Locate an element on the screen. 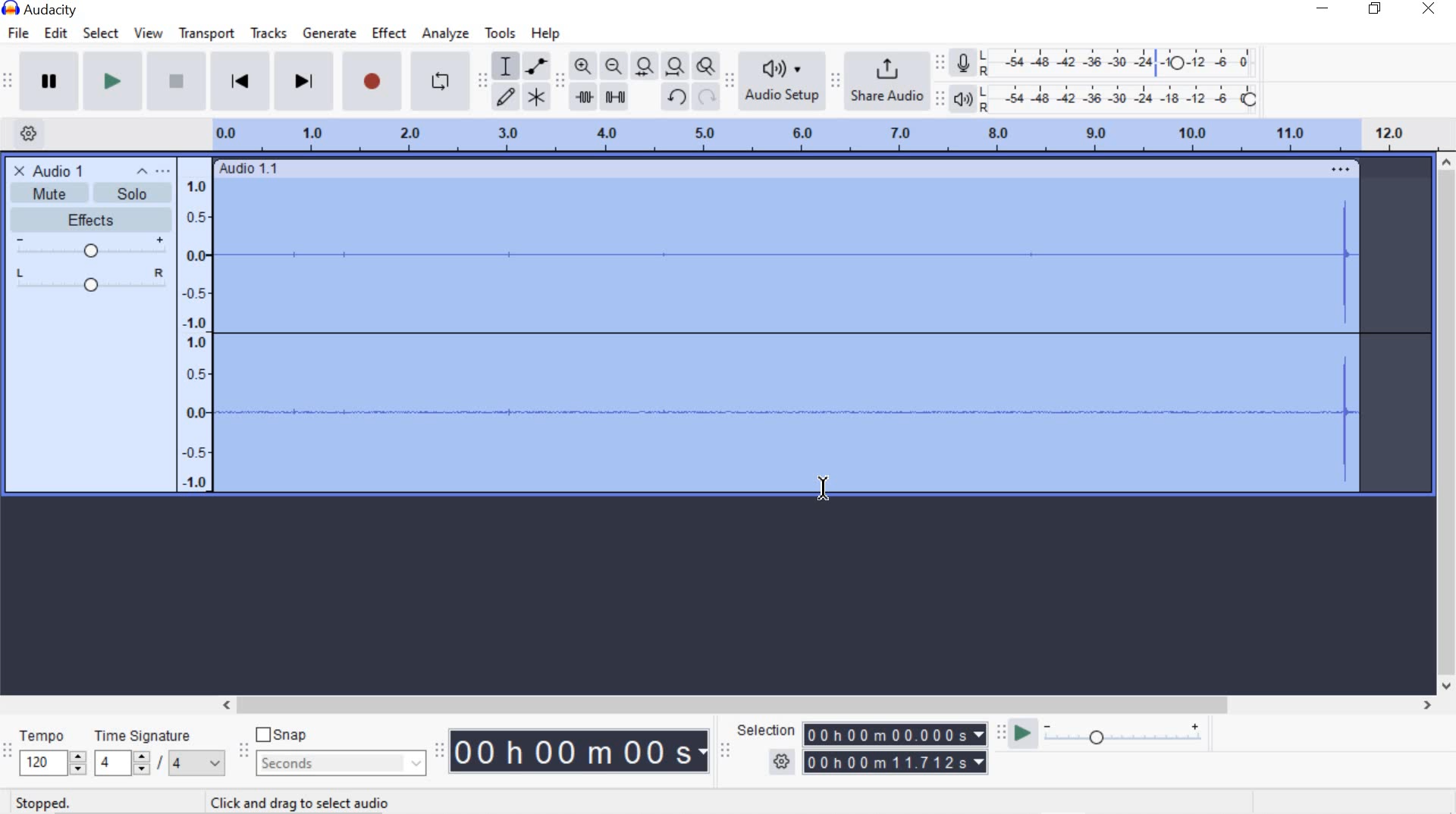 This screenshot has height=814, width=1456. view is located at coordinates (149, 33).